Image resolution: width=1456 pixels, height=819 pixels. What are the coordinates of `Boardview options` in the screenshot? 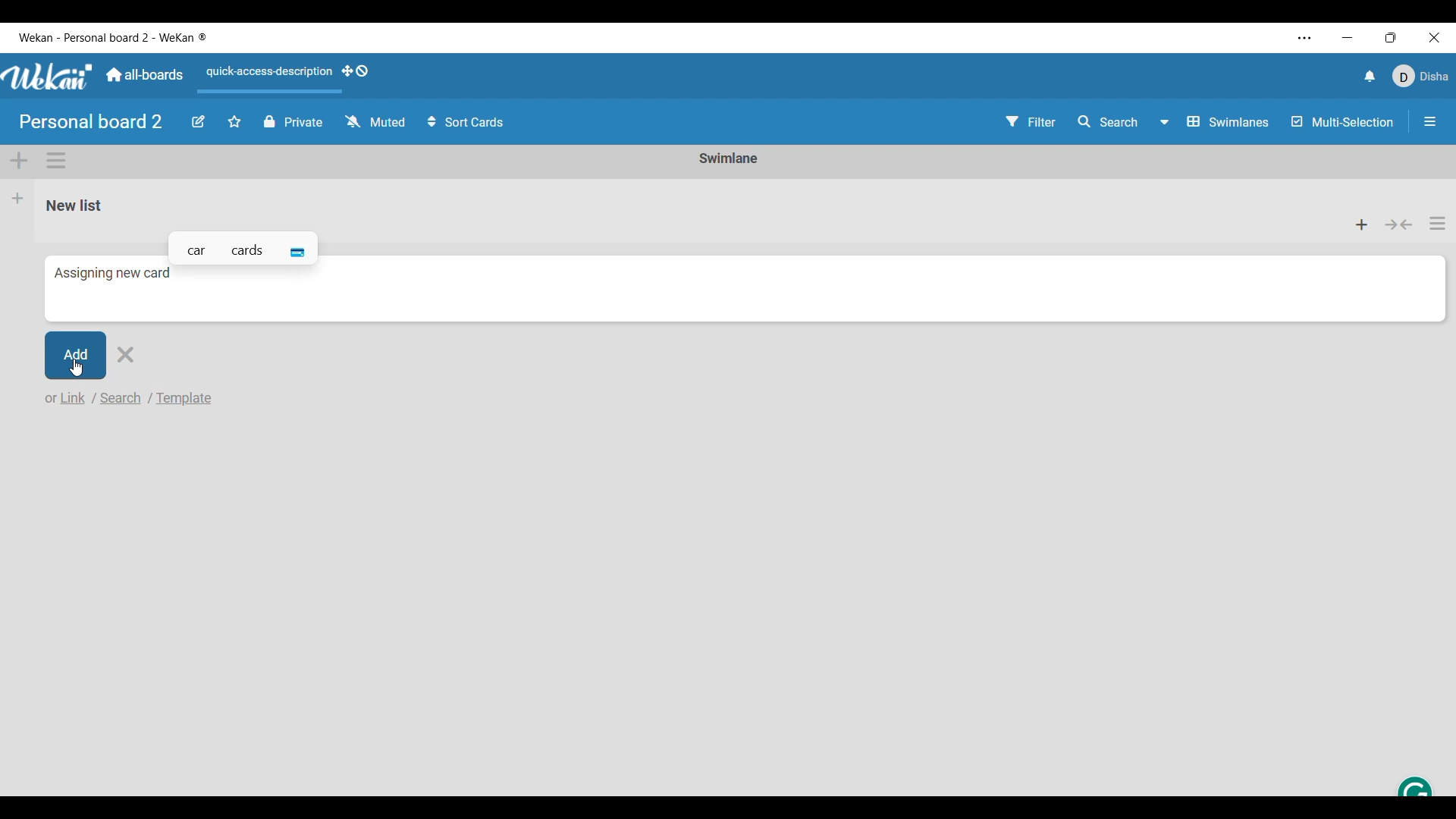 It's located at (1216, 122).